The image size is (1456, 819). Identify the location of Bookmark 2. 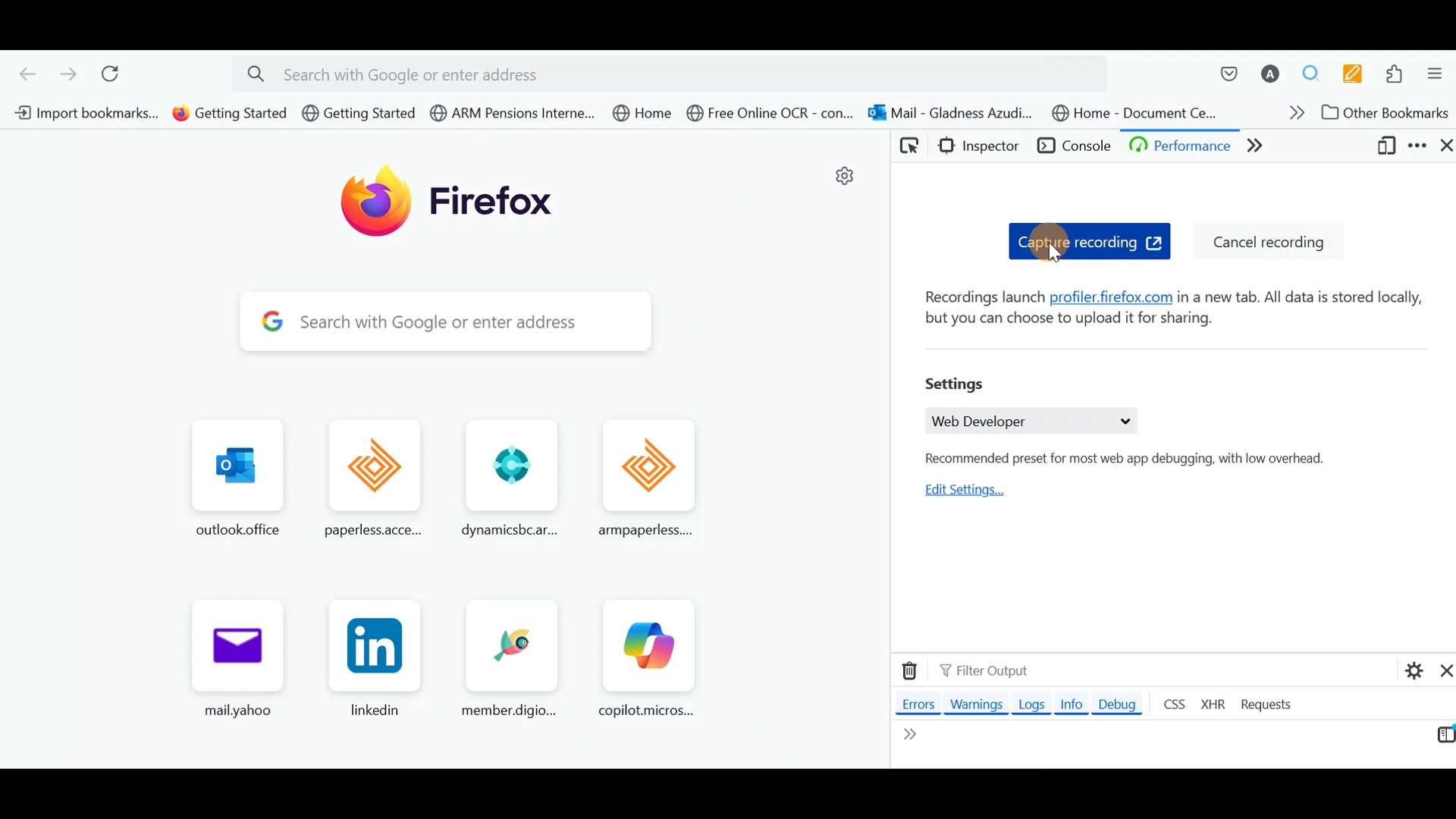
(230, 113).